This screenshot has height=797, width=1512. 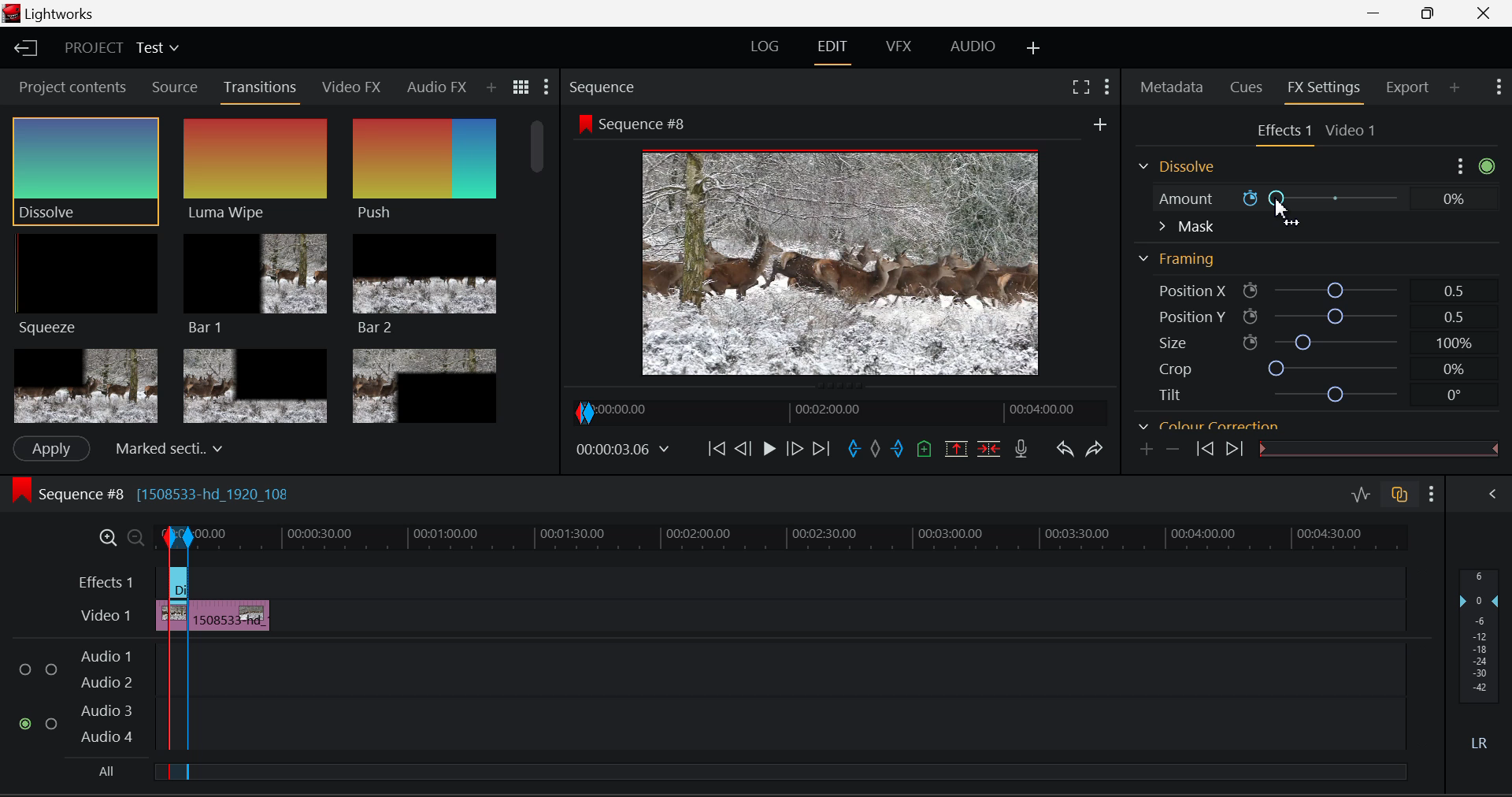 What do you see at coordinates (1293, 425) in the screenshot?
I see `Gamma` at bounding box center [1293, 425].